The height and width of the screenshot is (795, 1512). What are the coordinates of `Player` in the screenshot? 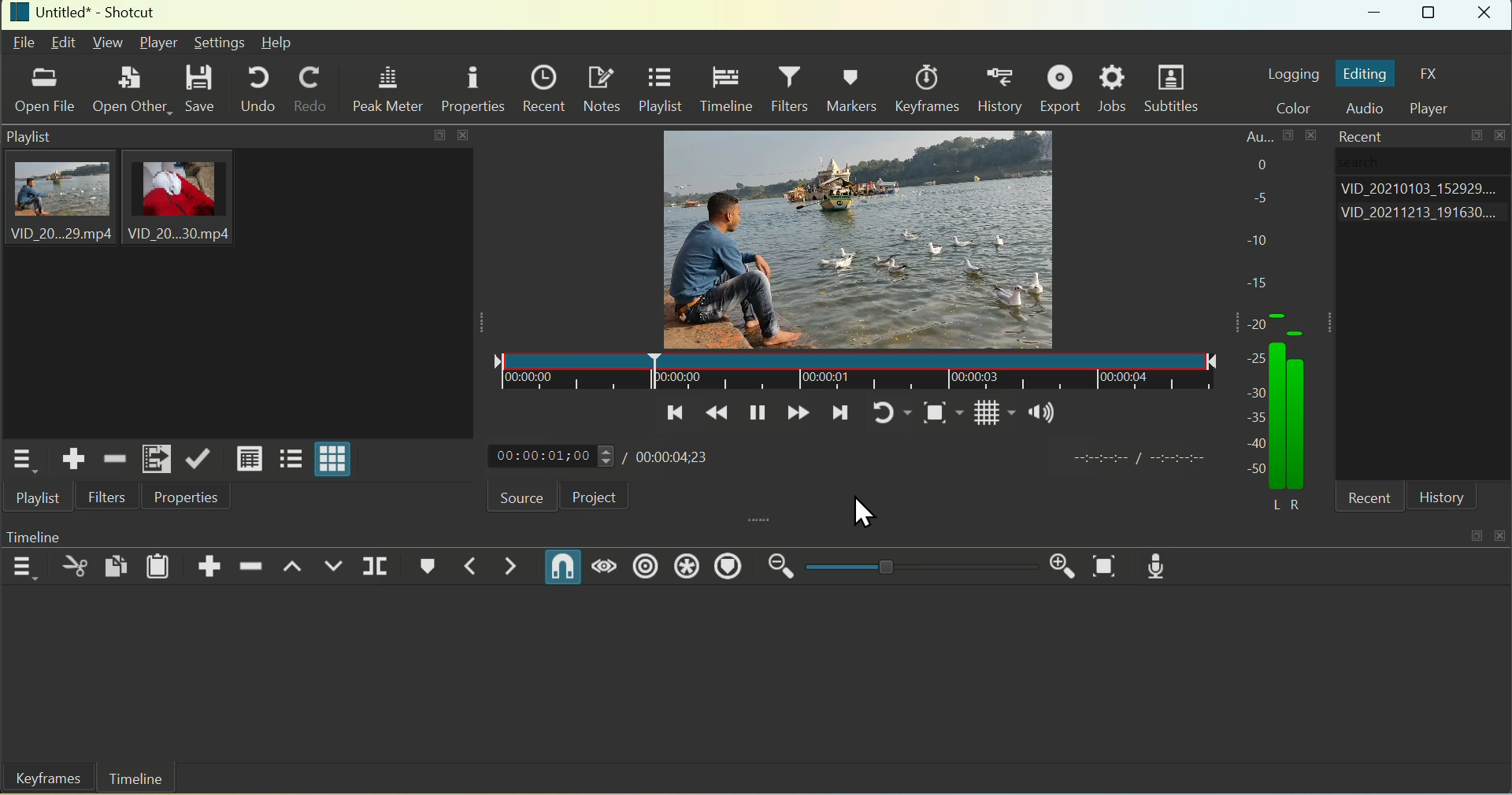 It's located at (161, 43).